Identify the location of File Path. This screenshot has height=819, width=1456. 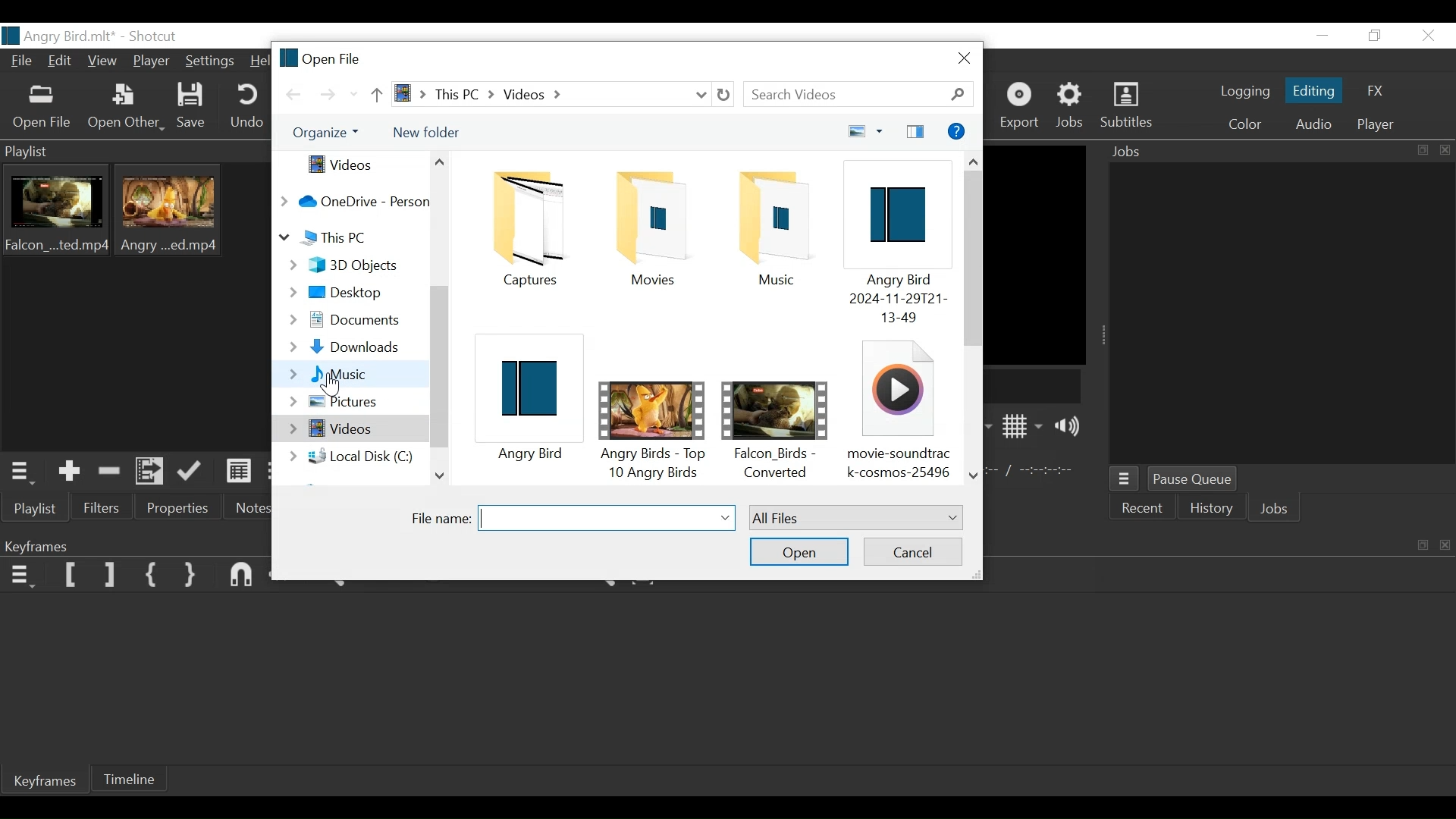
(553, 93).